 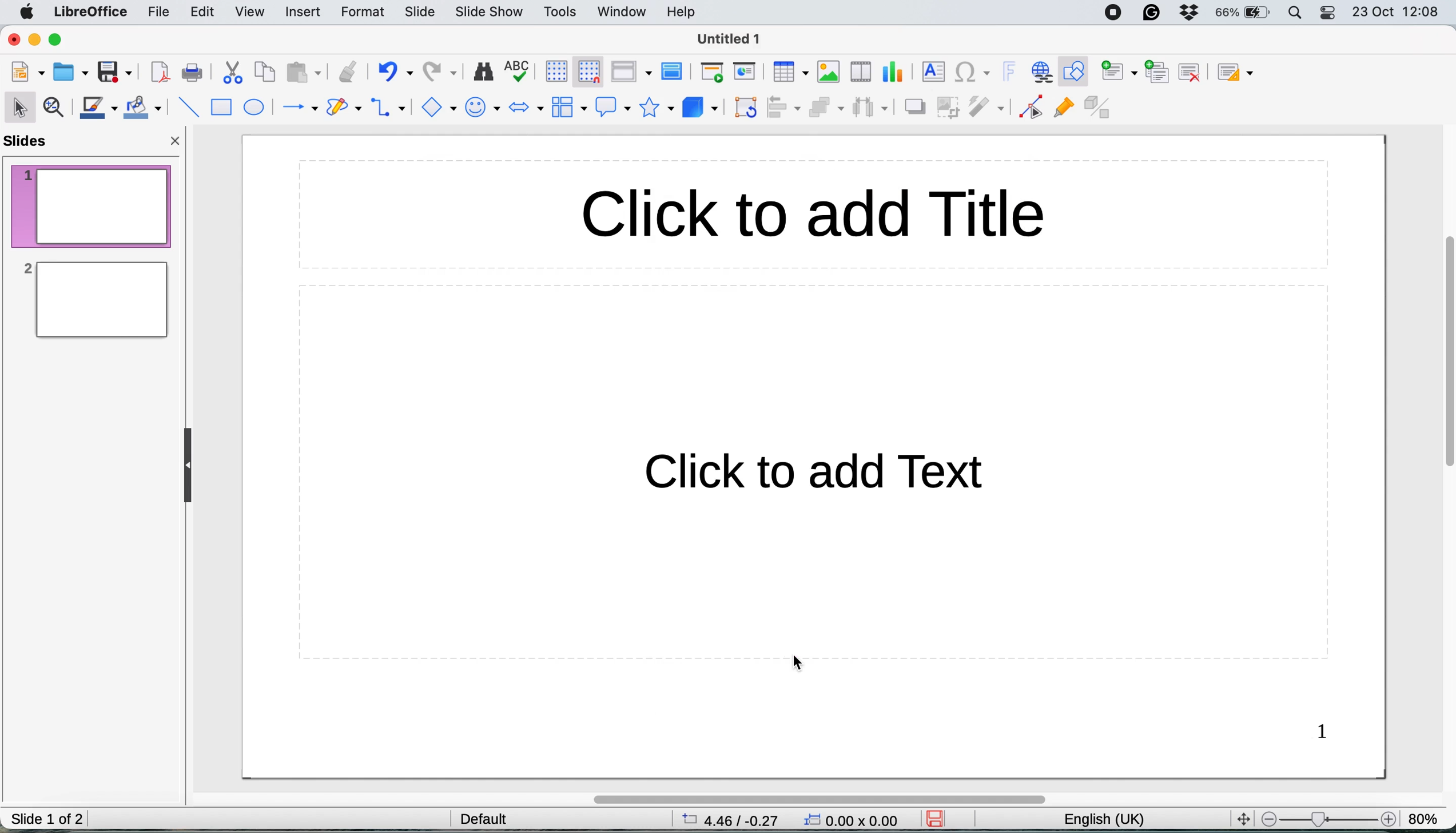 I want to click on 4.46/-0.27, so click(x=737, y=819).